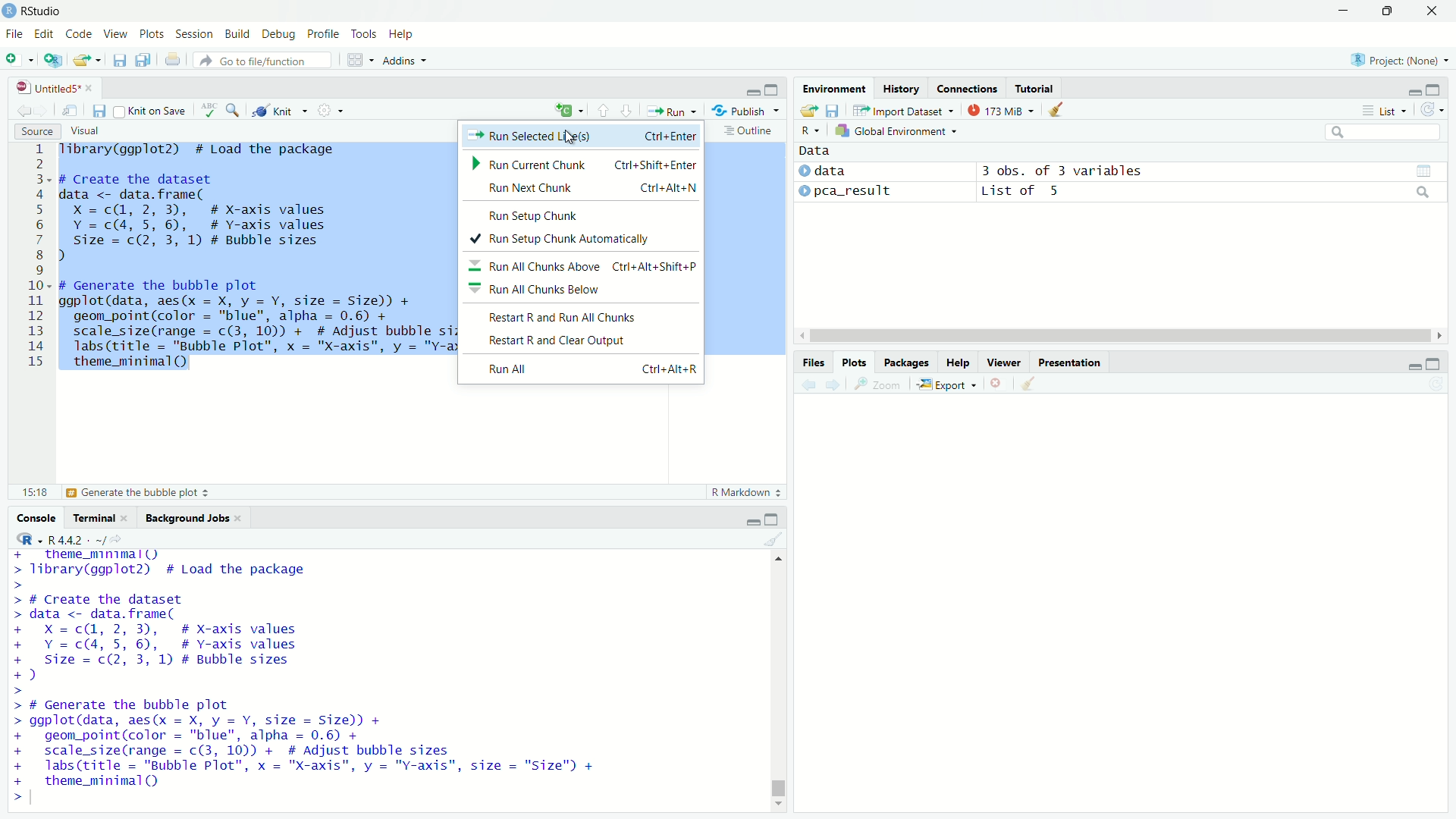 The height and width of the screenshot is (819, 1456). What do you see at coordinates (1385, 110) in the screenshot?
I see `list view` at bounding box center [1385, 110].